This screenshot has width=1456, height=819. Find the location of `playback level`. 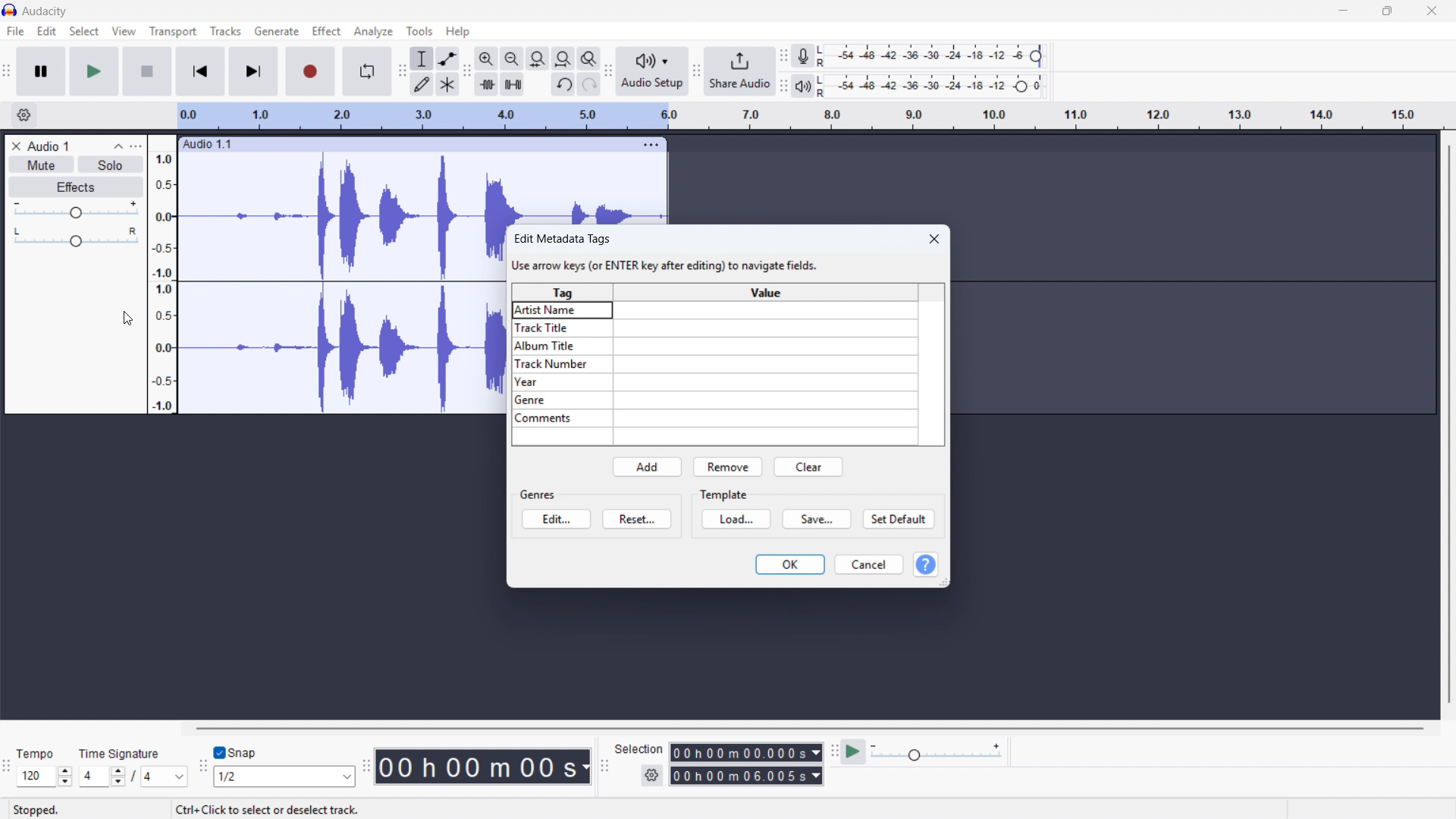

playback level is located at coordinates (934, 86).